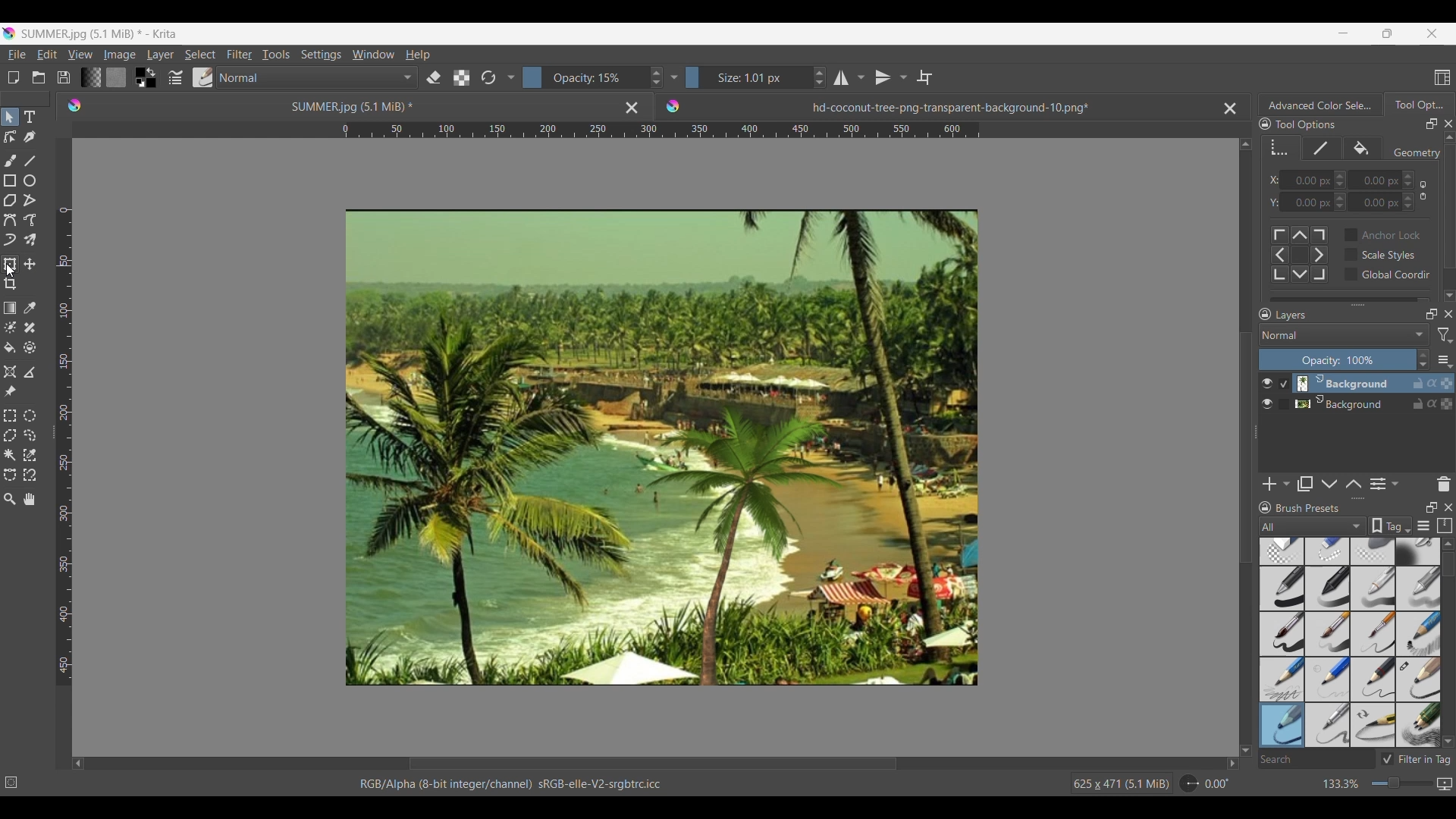  I want to click on Close docker, so click(1448, 124).